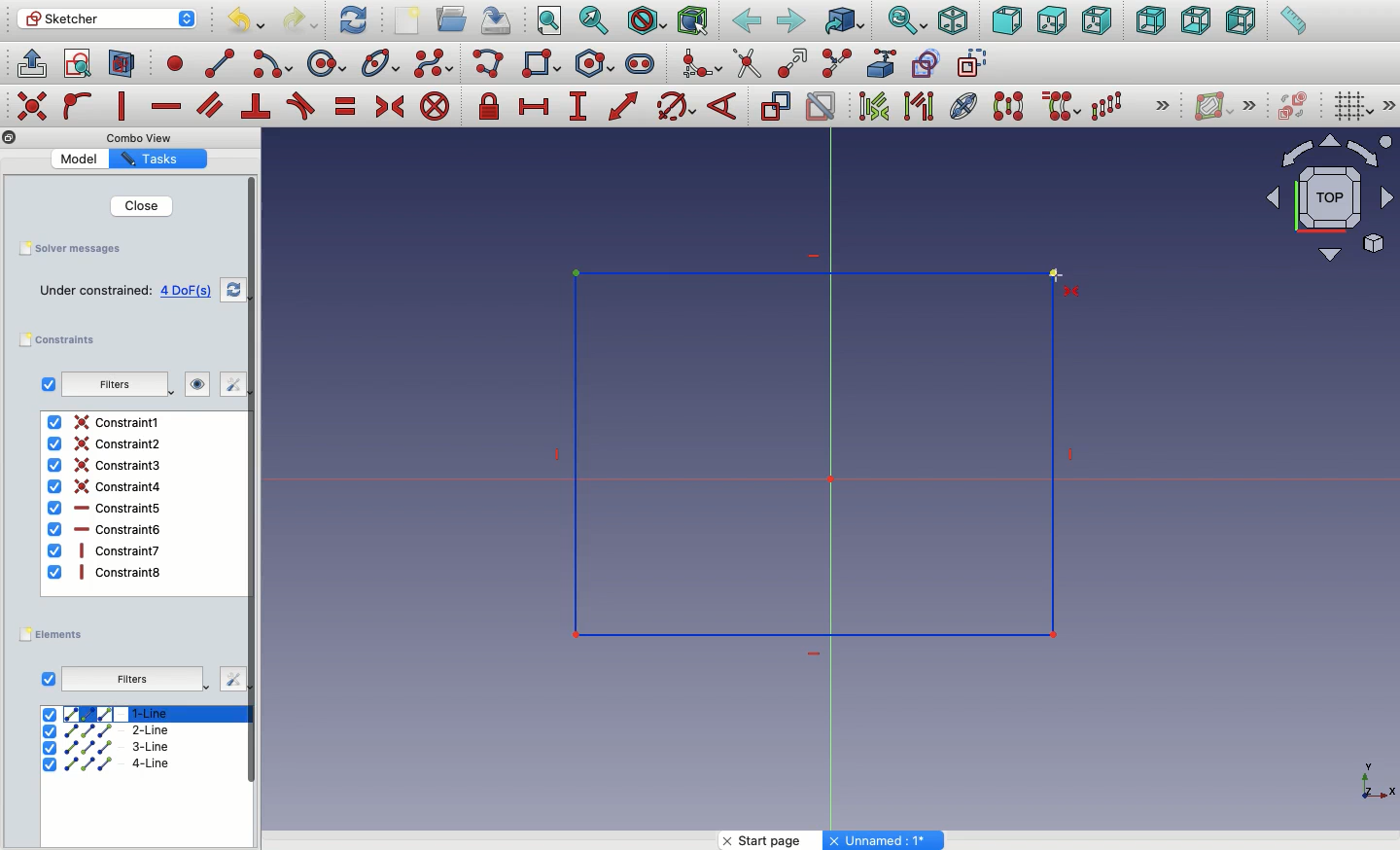 The image size is (1400, 850). I want to click on Save, so click(69, 247).